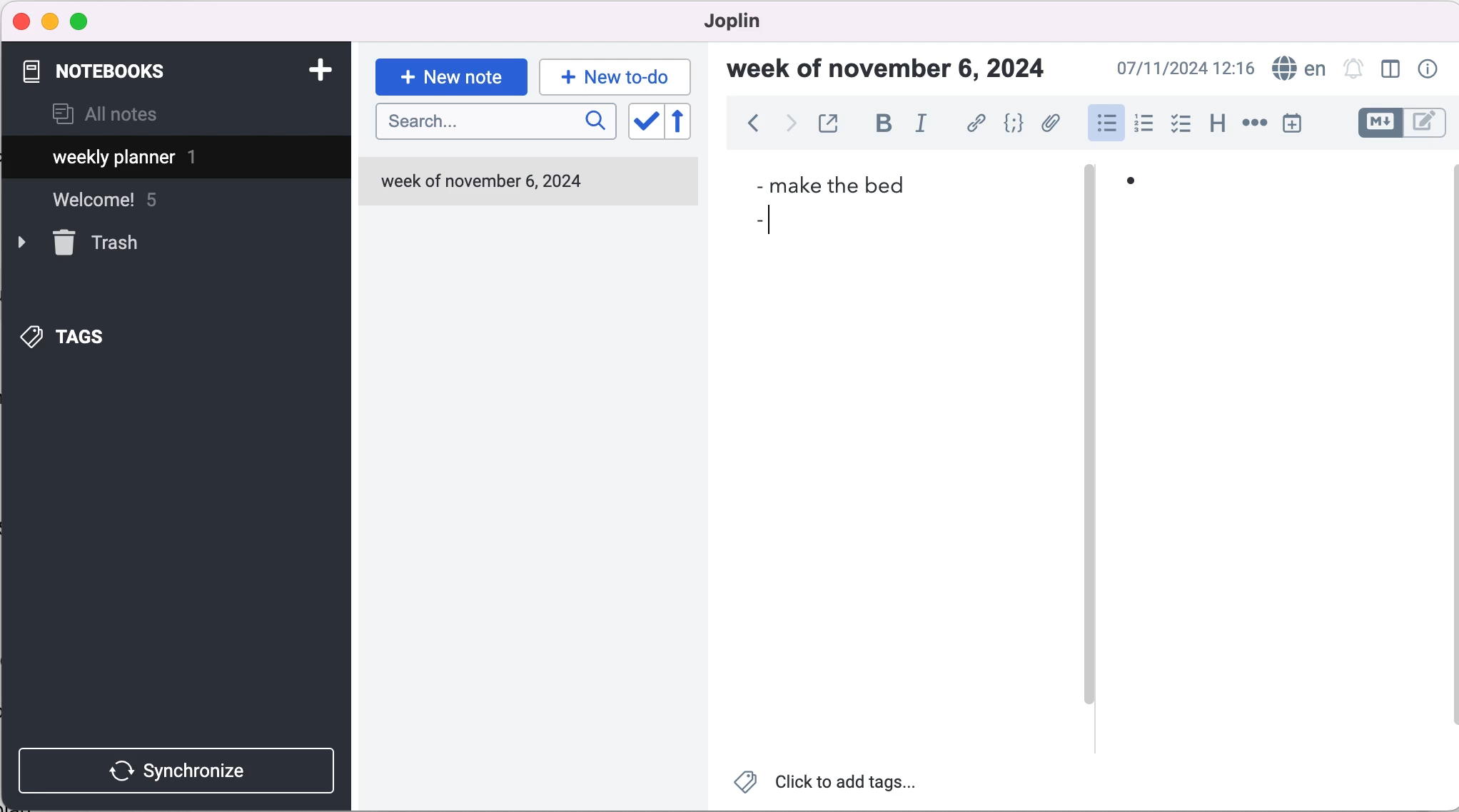  What do you see at coordinates (105, 116) in the screenshot?
I see `all notes` at bounding box center [105, 116].